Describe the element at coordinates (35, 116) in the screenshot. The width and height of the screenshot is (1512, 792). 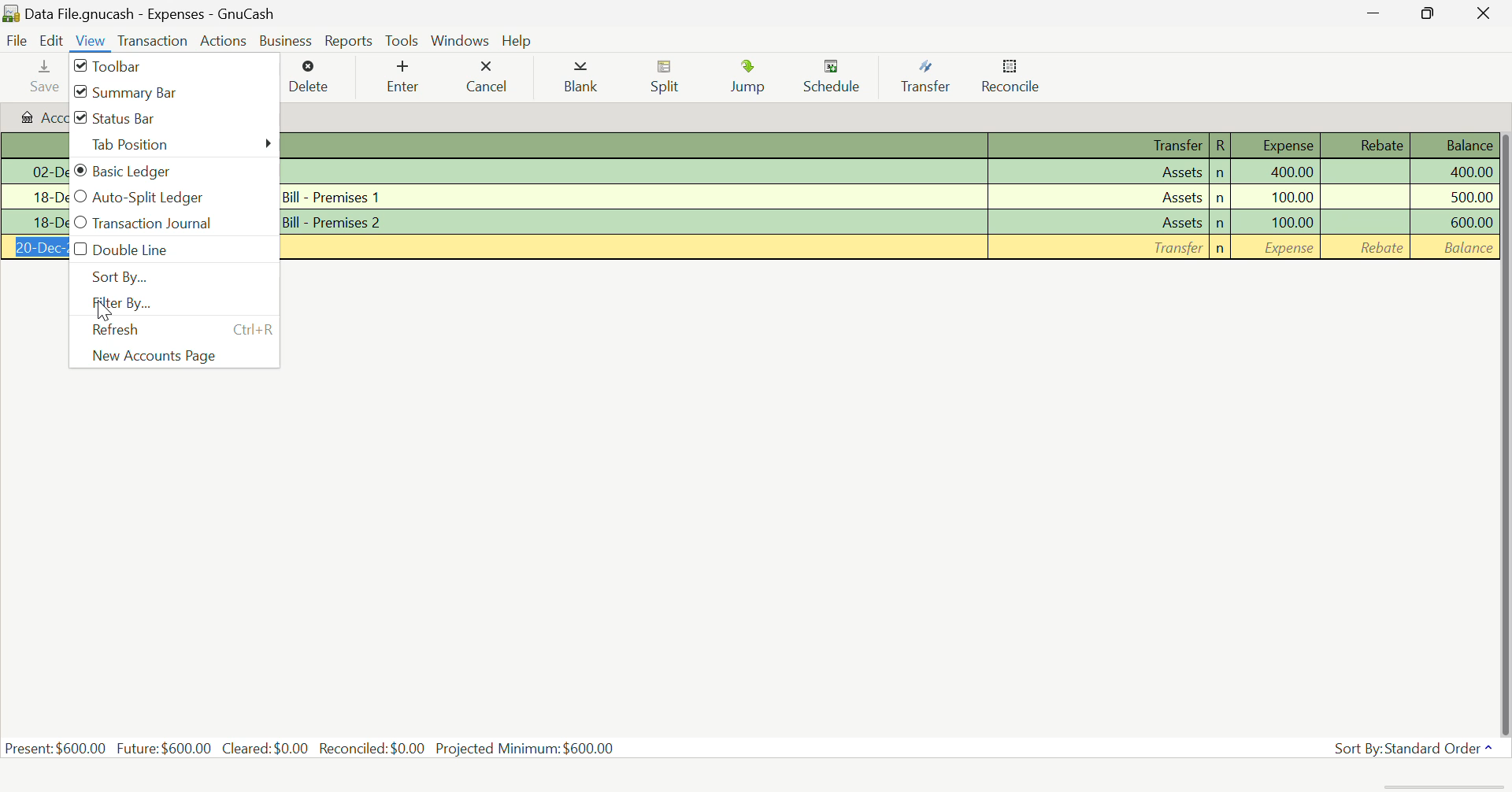
I see `Accounts tab` at that location.